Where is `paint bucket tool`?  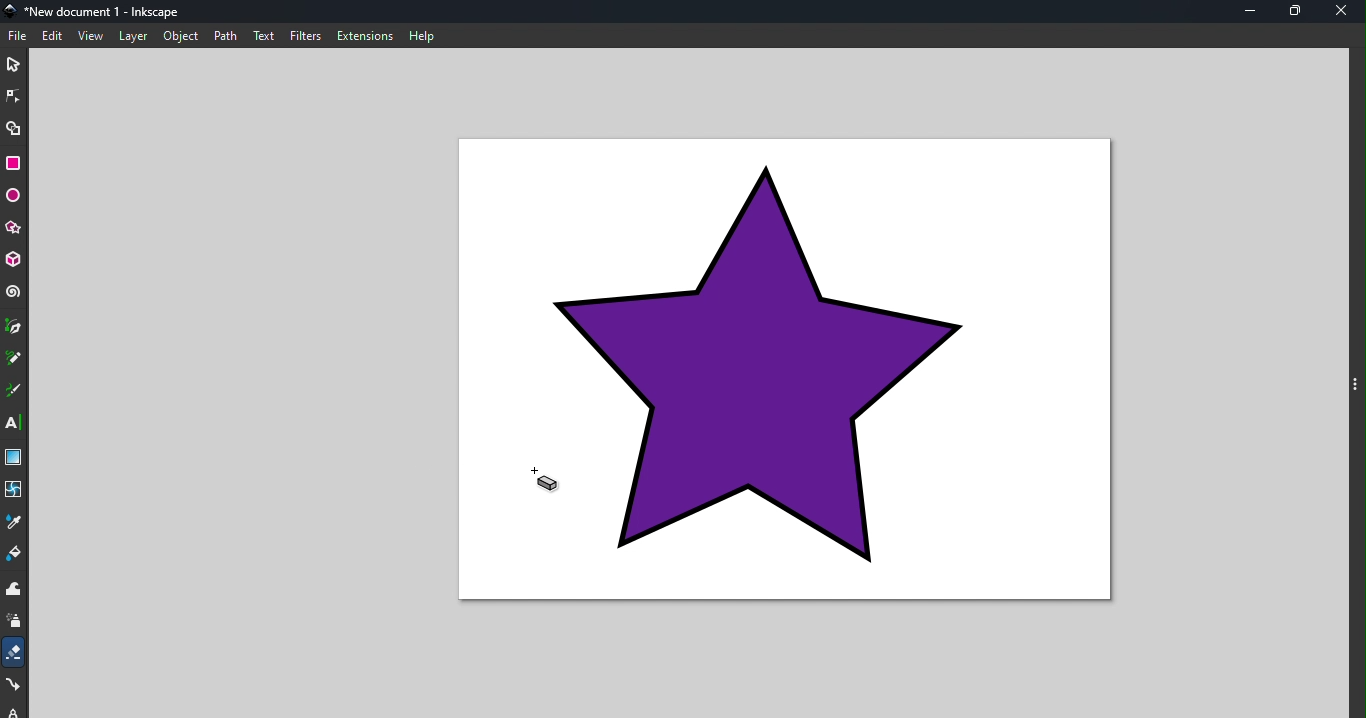
paint bucket tool is located at coordinates (15, 555).